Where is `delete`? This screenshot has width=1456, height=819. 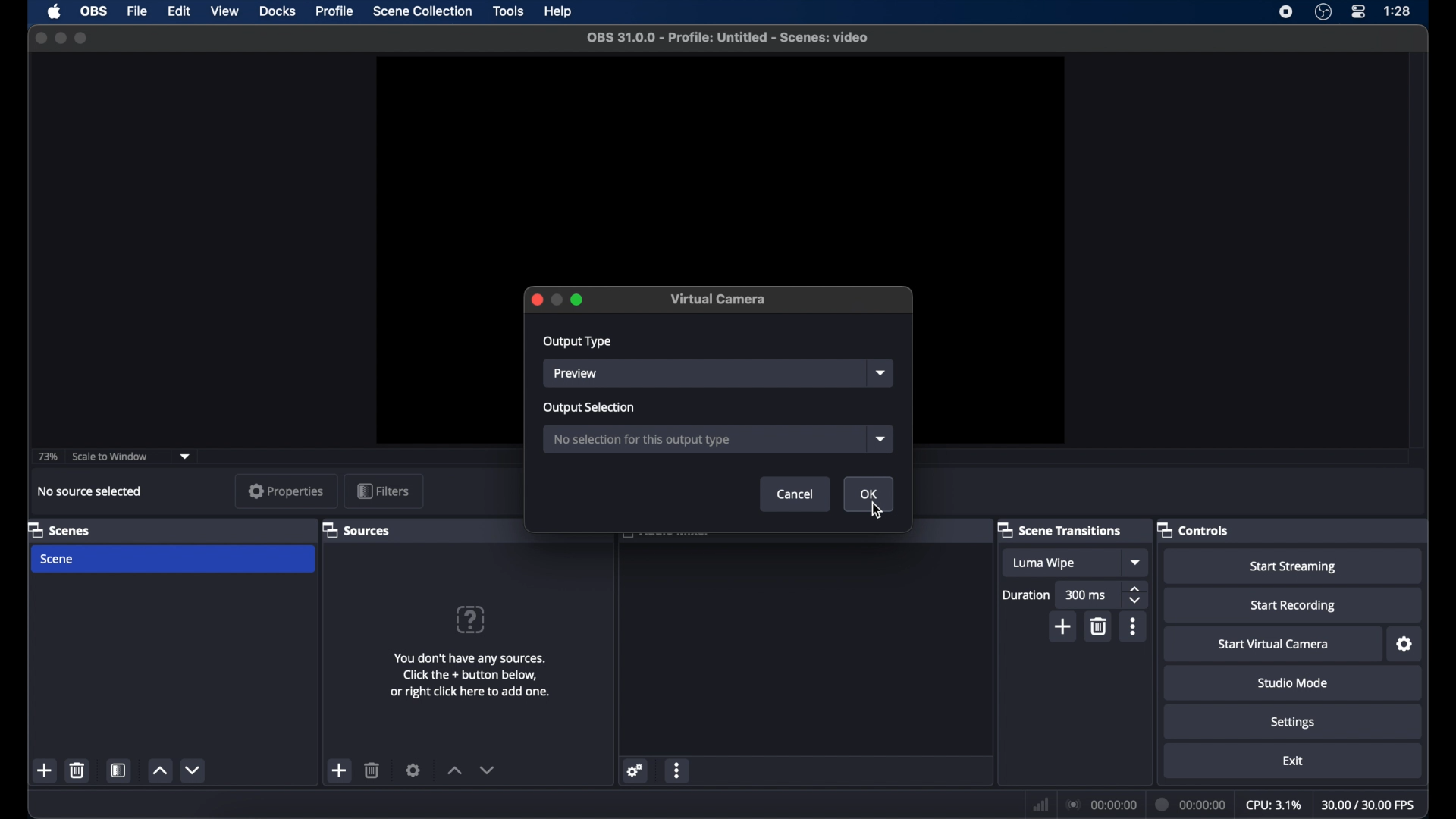
delete is located at coordinates (372, 770).